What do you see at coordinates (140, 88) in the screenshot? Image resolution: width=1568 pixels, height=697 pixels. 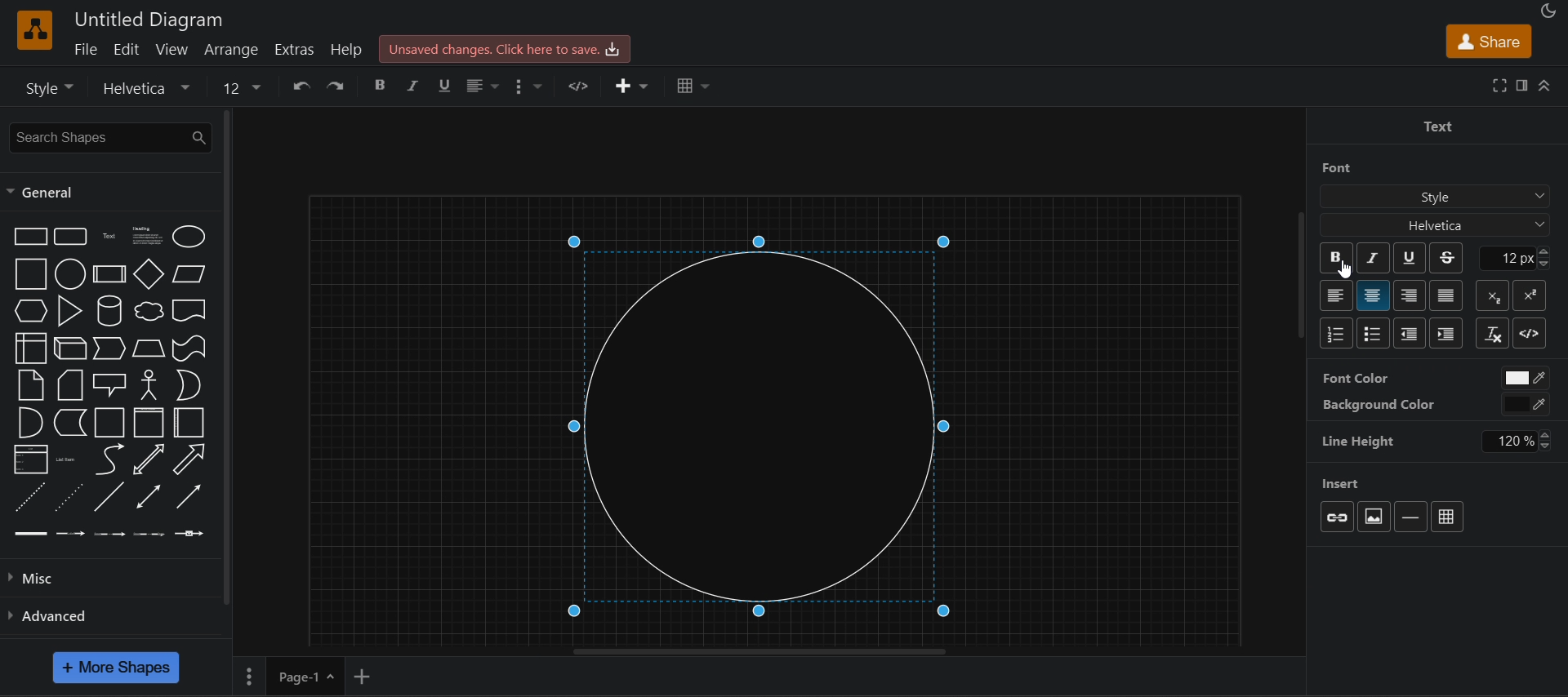 I see `font family` at bounding box center [140, 88].